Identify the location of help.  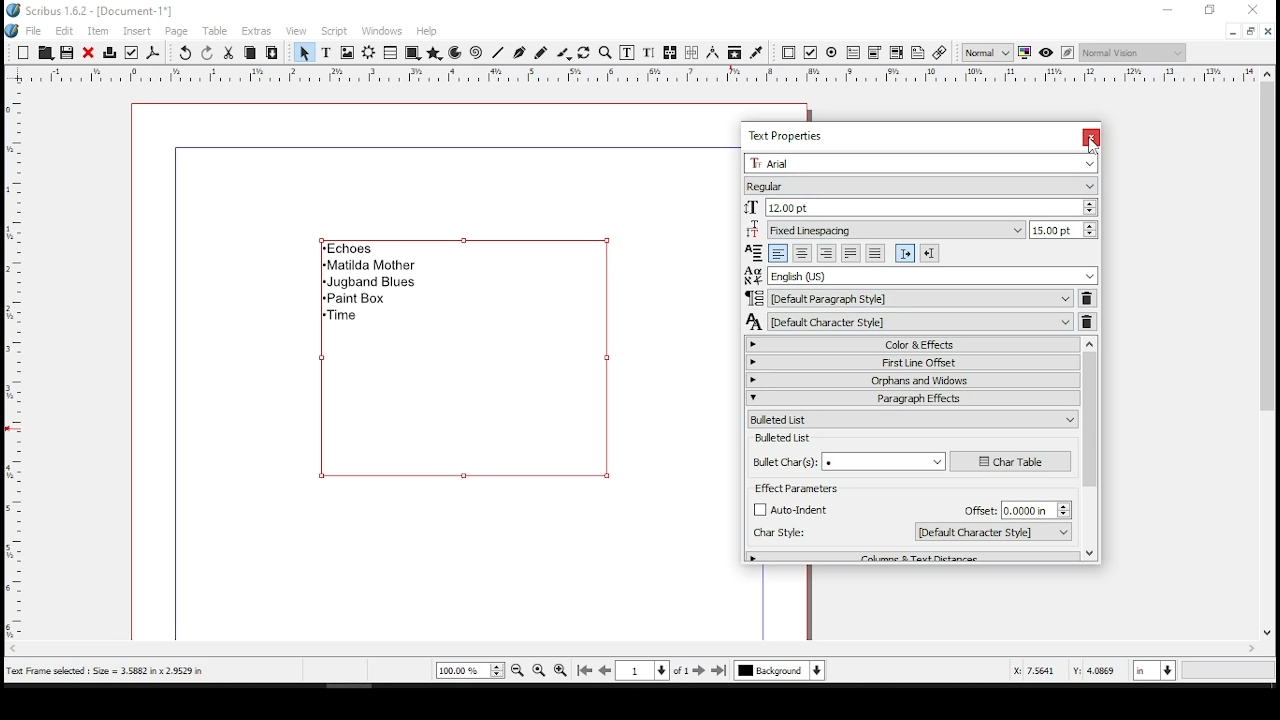
(426, 31).